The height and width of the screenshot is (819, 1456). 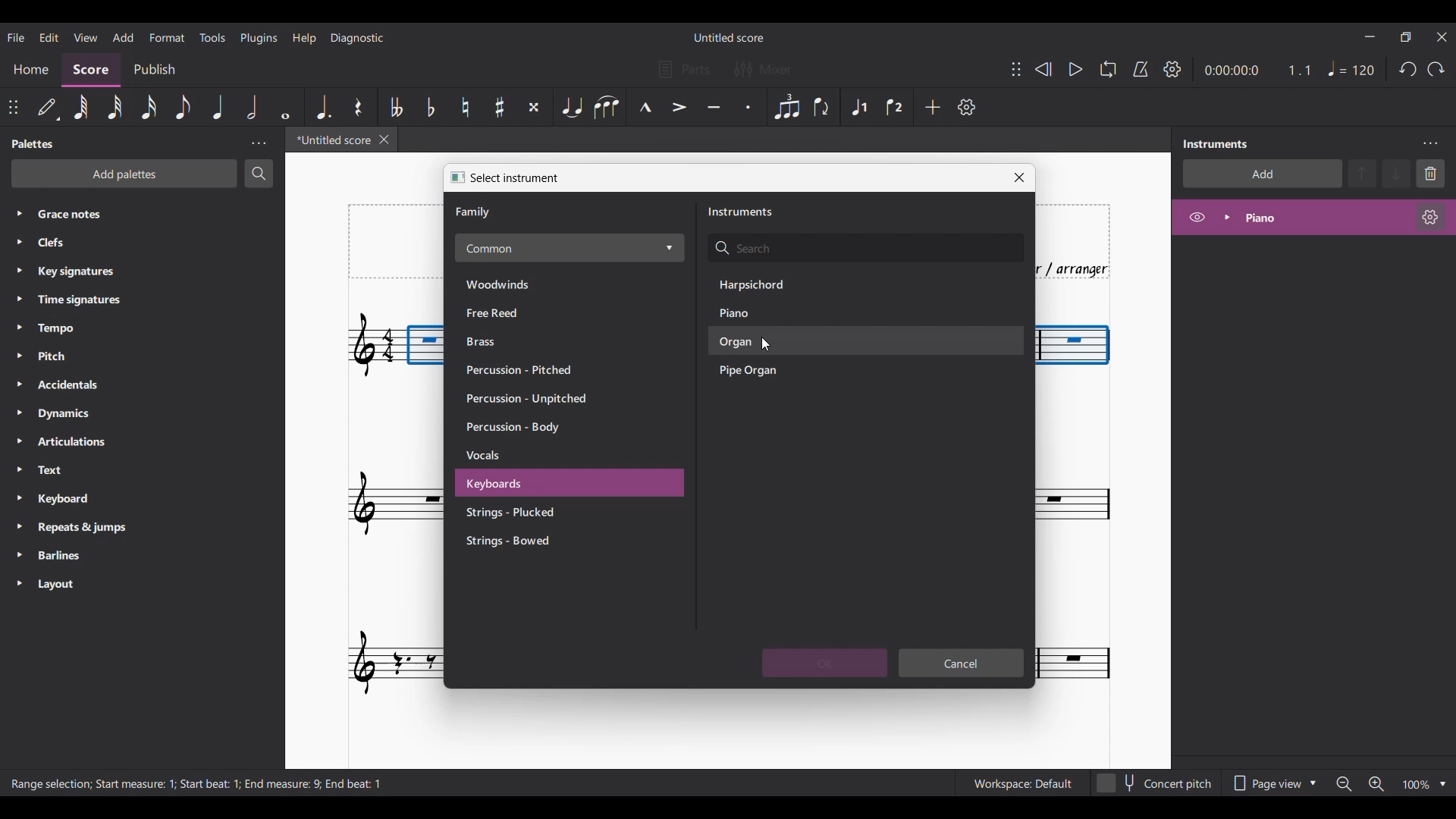 I want to click on Slur, so click(x=606, y=107).